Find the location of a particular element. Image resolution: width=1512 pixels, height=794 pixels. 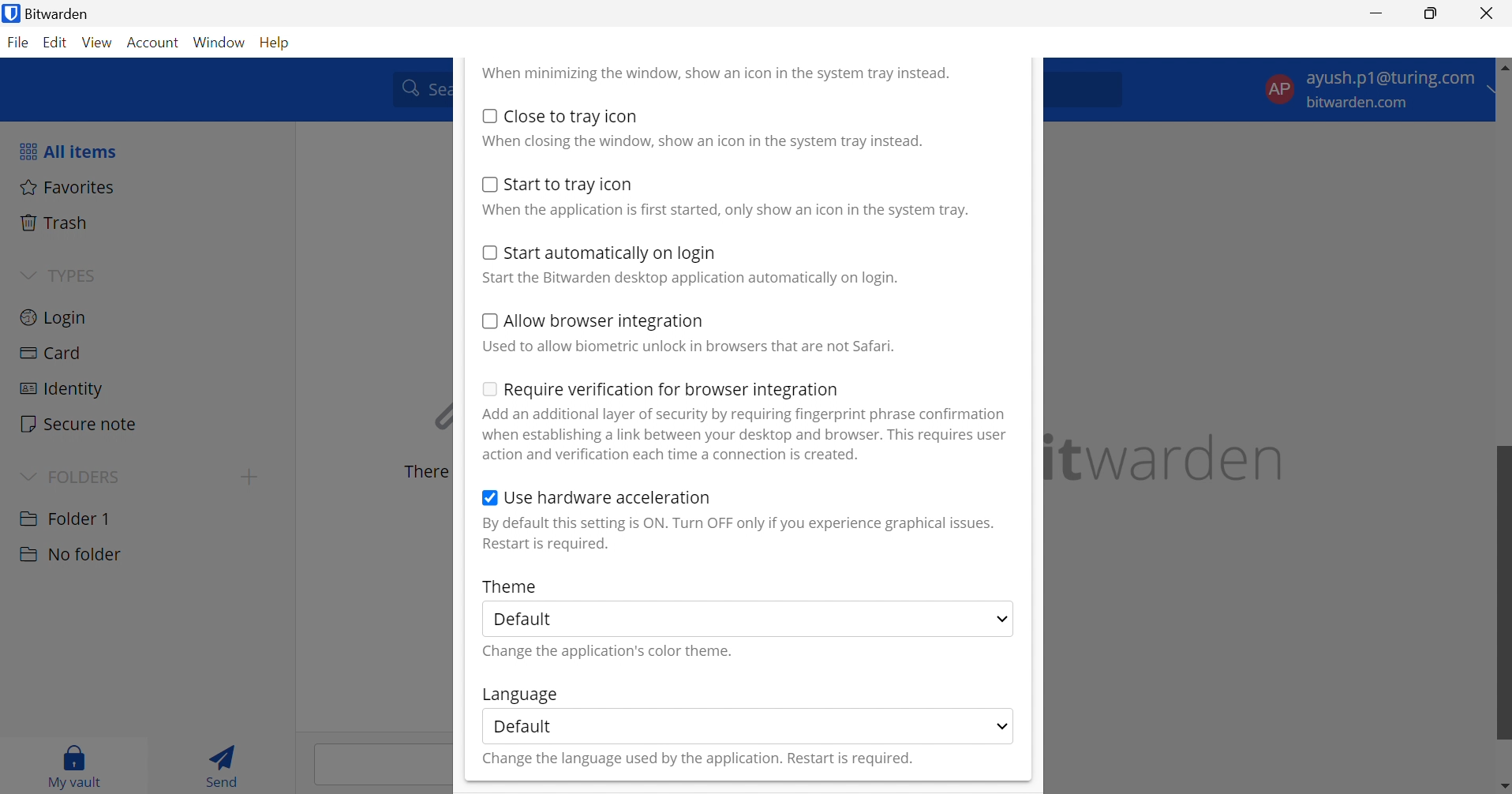

Restore is located at coordinates (1432, 14).